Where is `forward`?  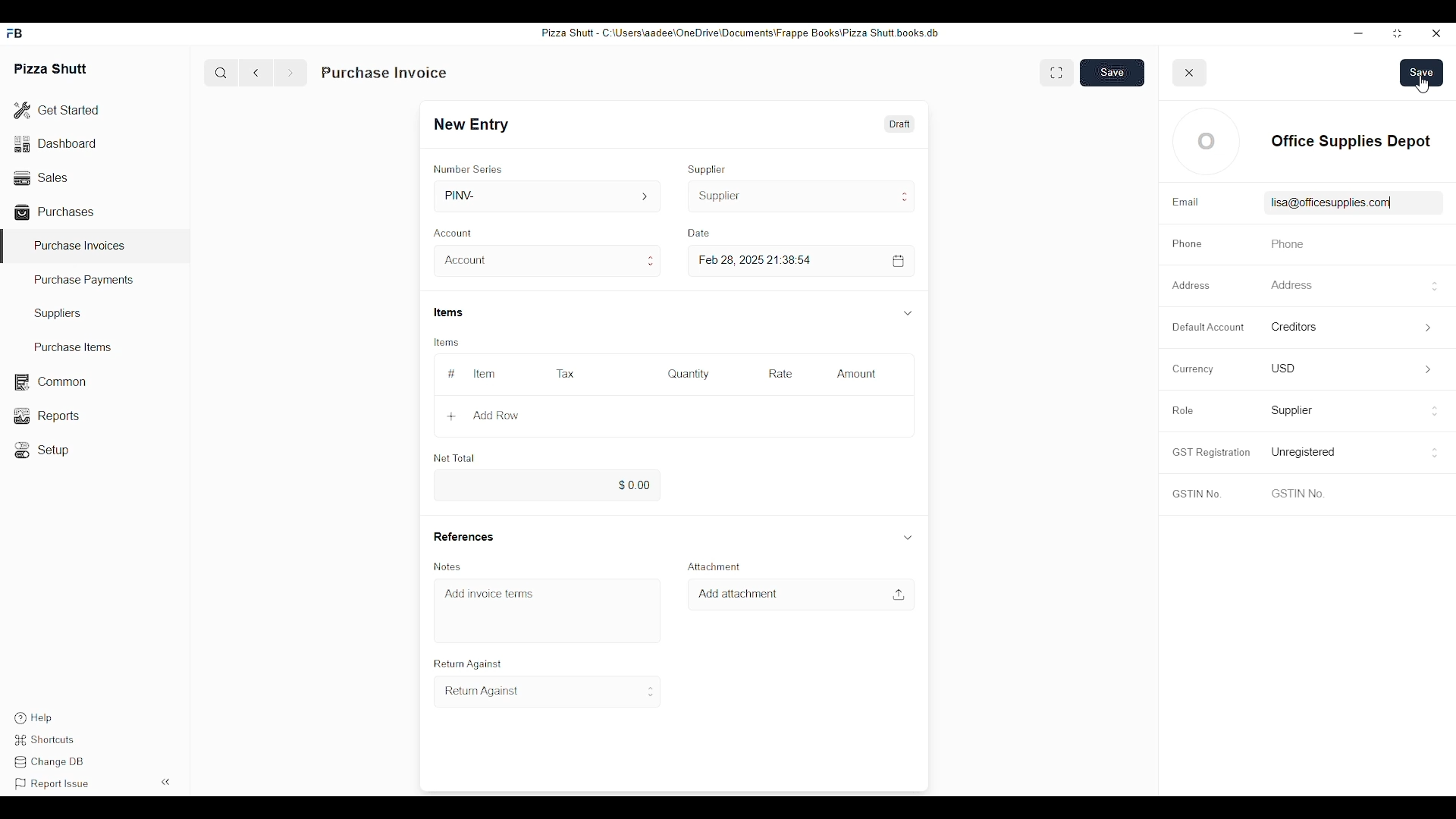 forward is located at coordinates (290, 73).